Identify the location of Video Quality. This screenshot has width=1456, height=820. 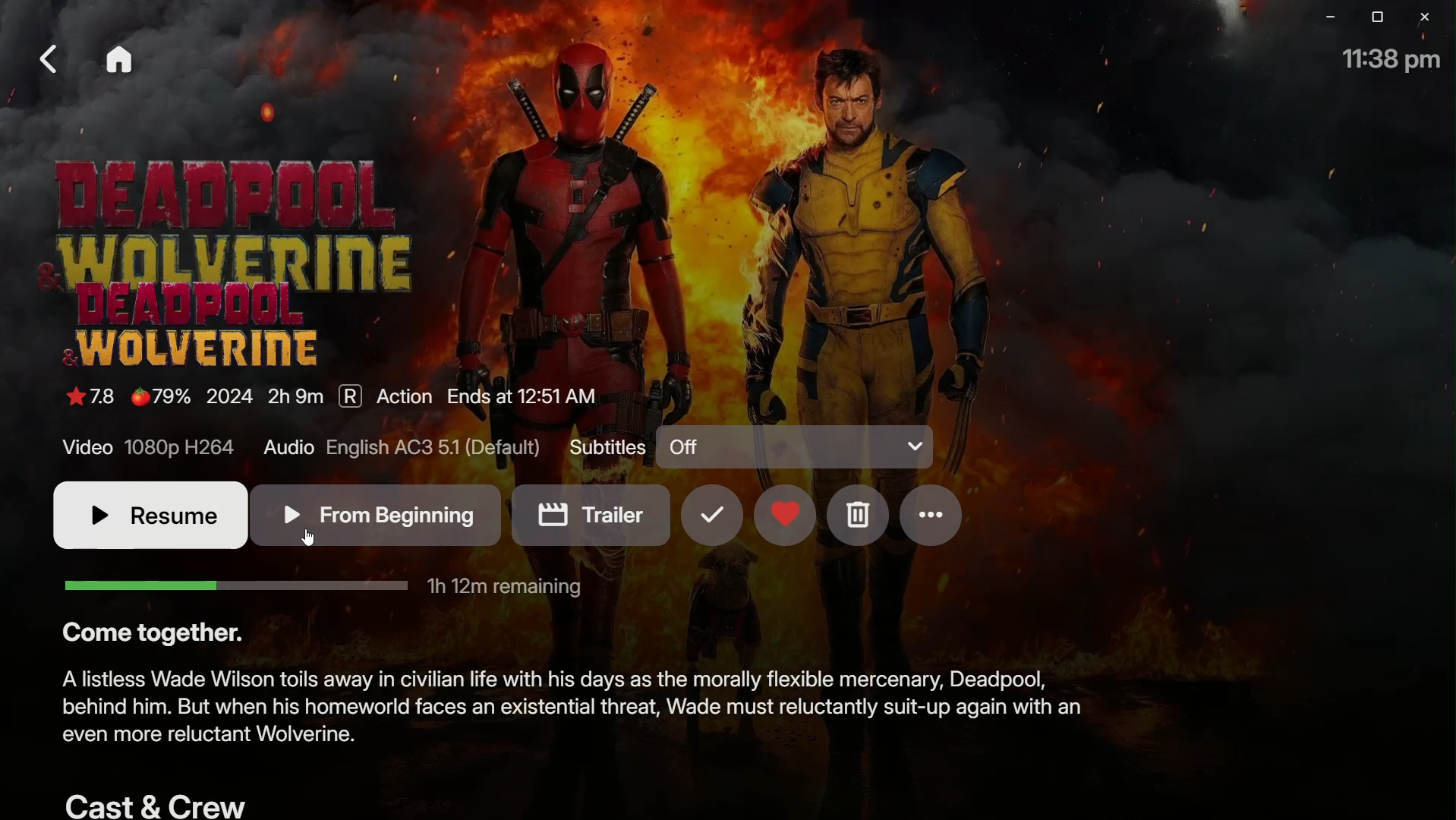
(147, 447).